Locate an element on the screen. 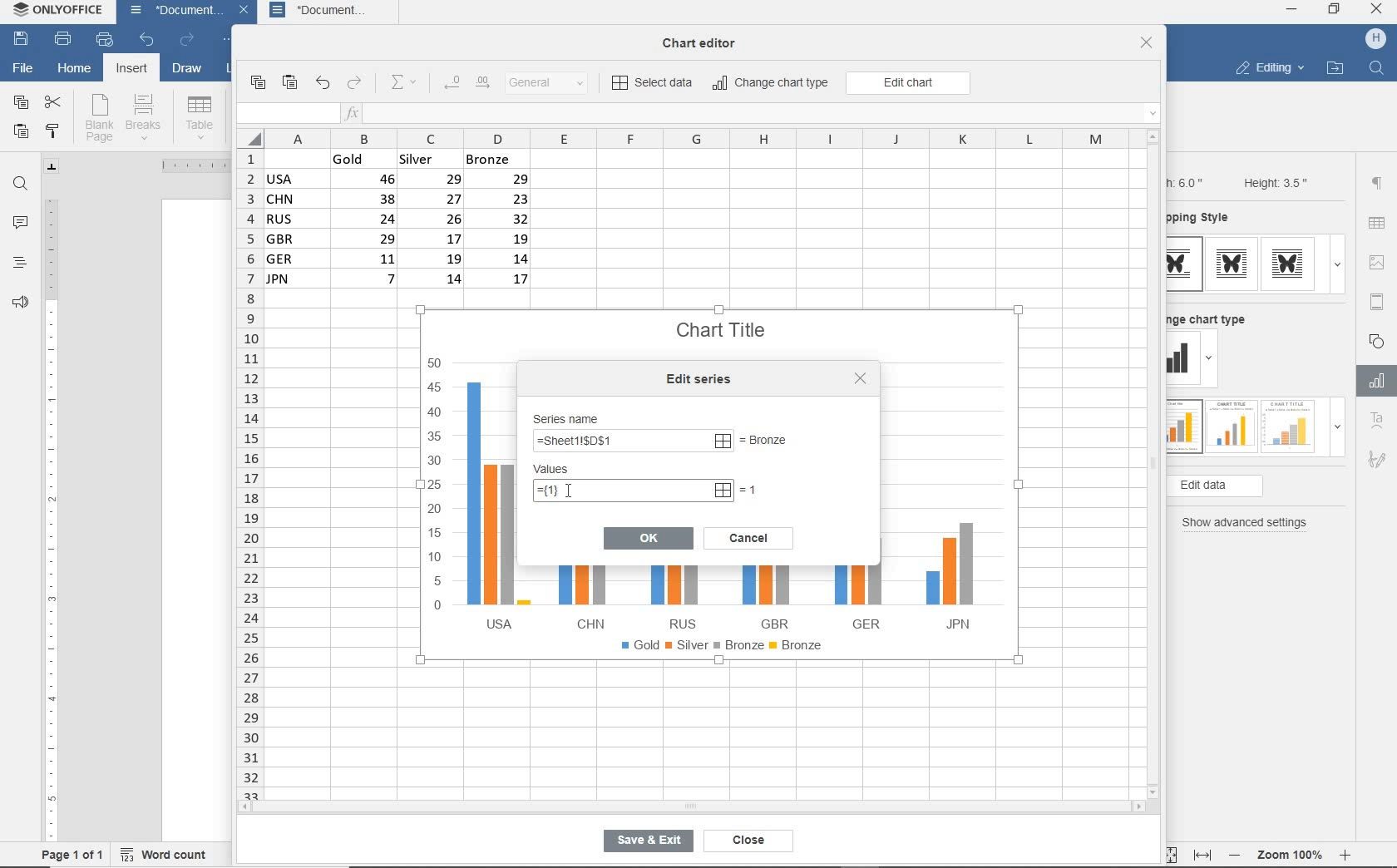  scroll right is located at coordinates (1142, 807).